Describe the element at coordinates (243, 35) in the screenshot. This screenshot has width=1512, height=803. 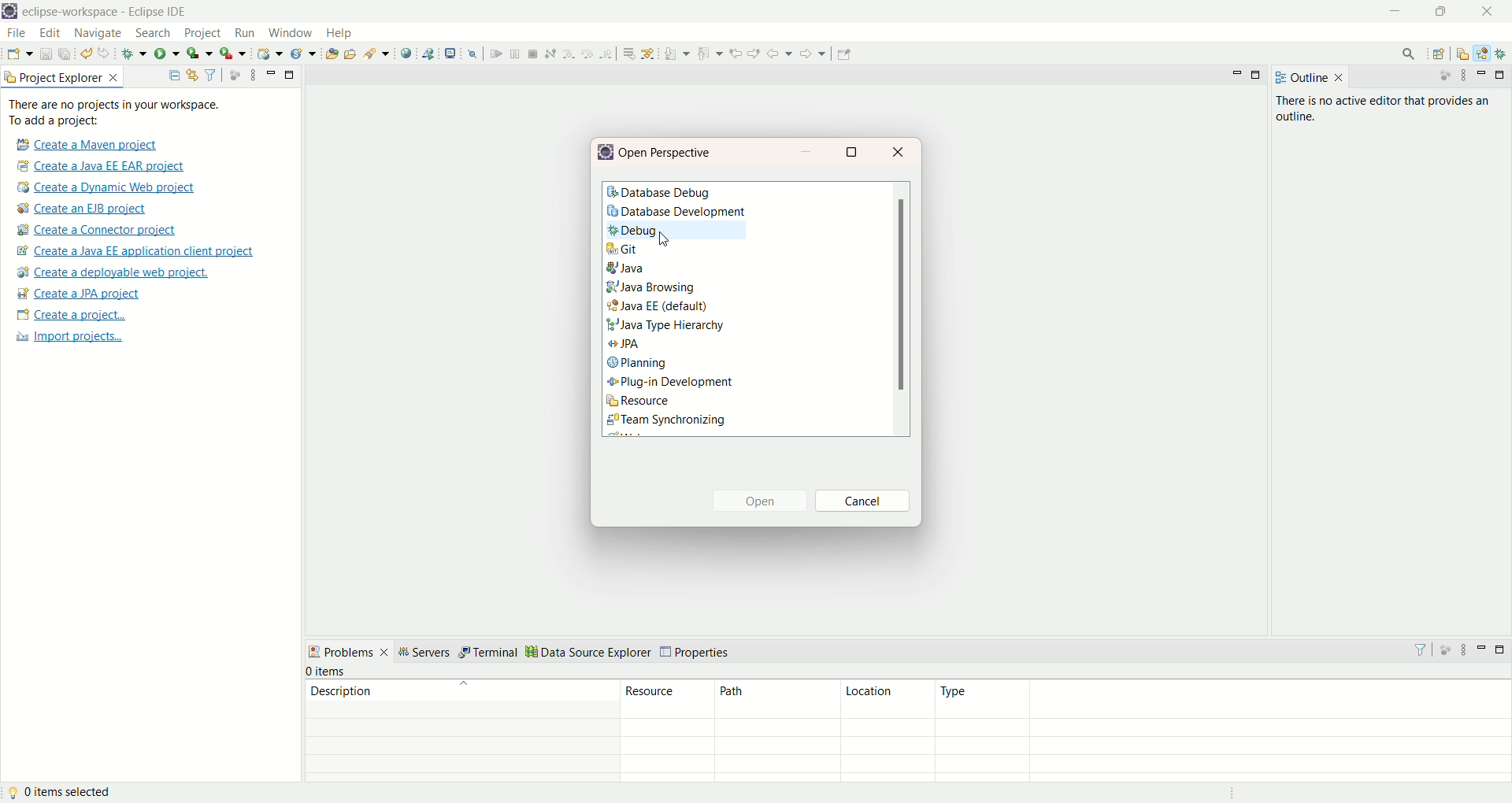
I see `run` at that location.